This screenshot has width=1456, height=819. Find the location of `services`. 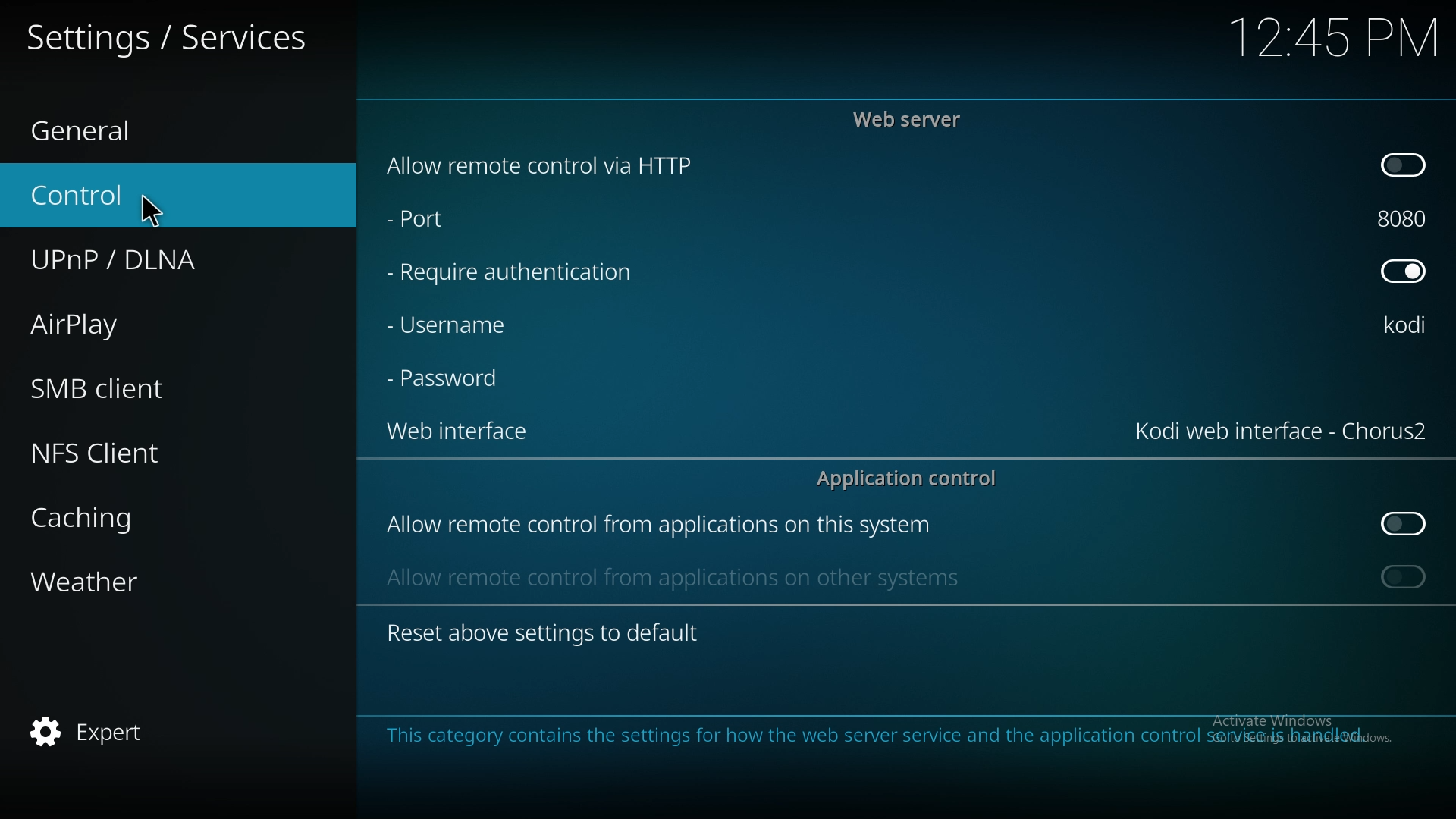

services is located at coordinates (174, 36).